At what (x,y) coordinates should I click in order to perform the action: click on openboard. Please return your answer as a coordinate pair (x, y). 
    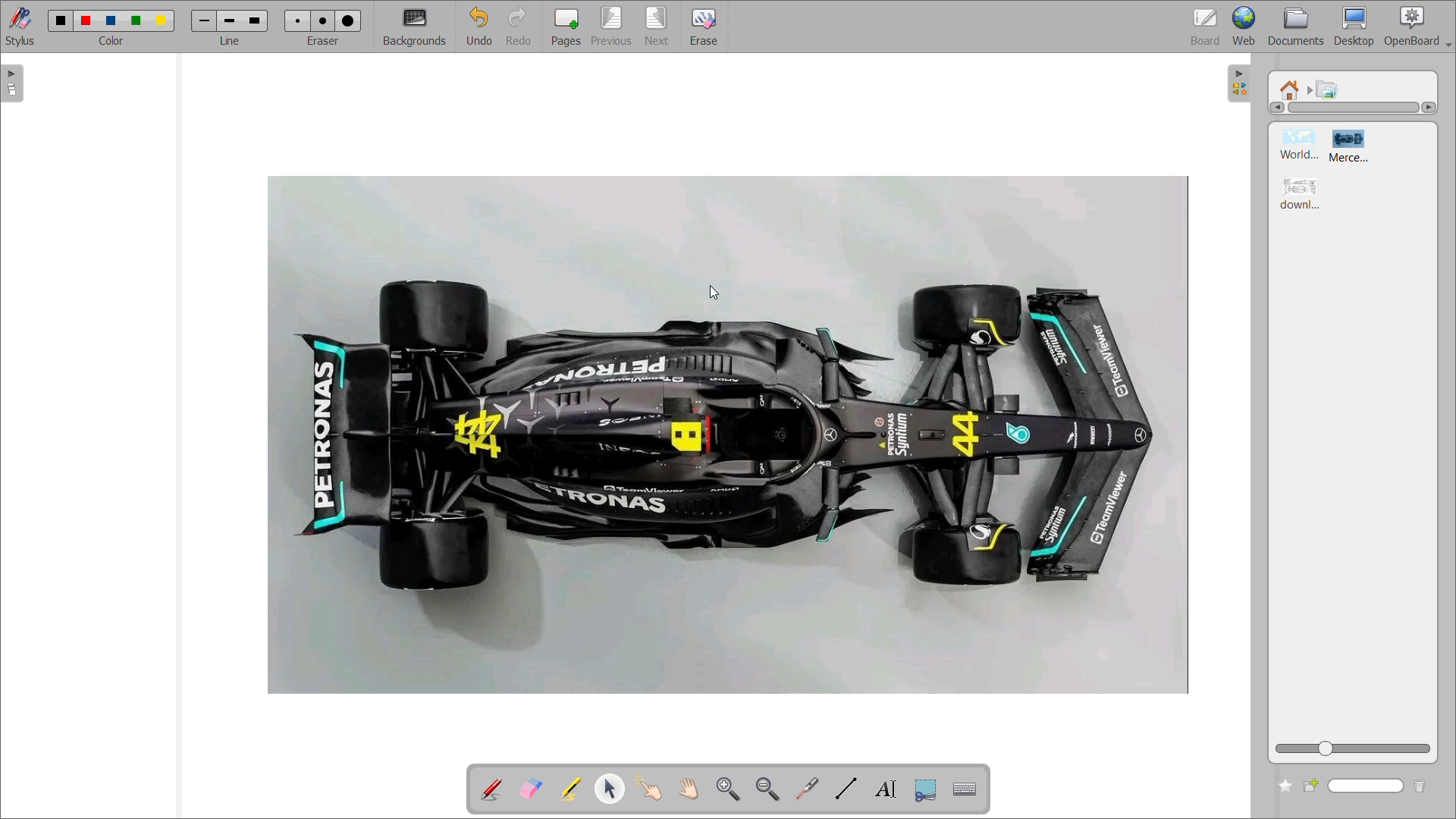
    Looking at the image, I should click on (1415, 27).